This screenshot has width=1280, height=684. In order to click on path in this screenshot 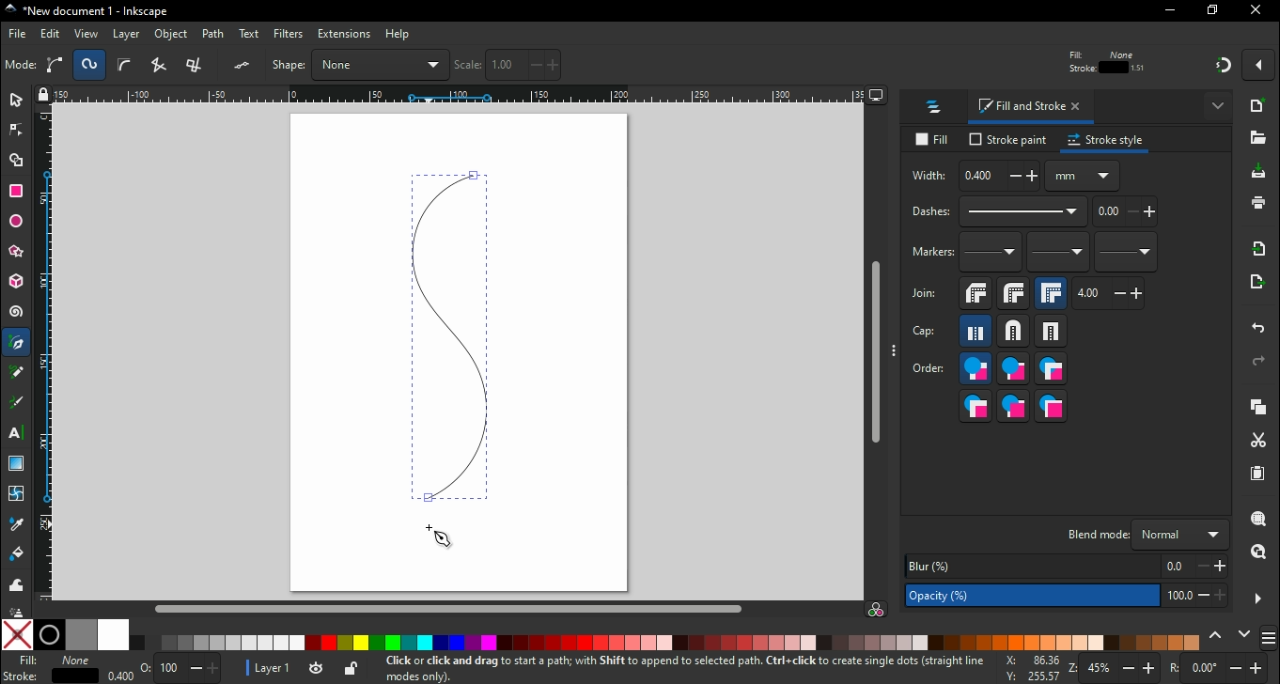, I will do `click(216, 34)`.